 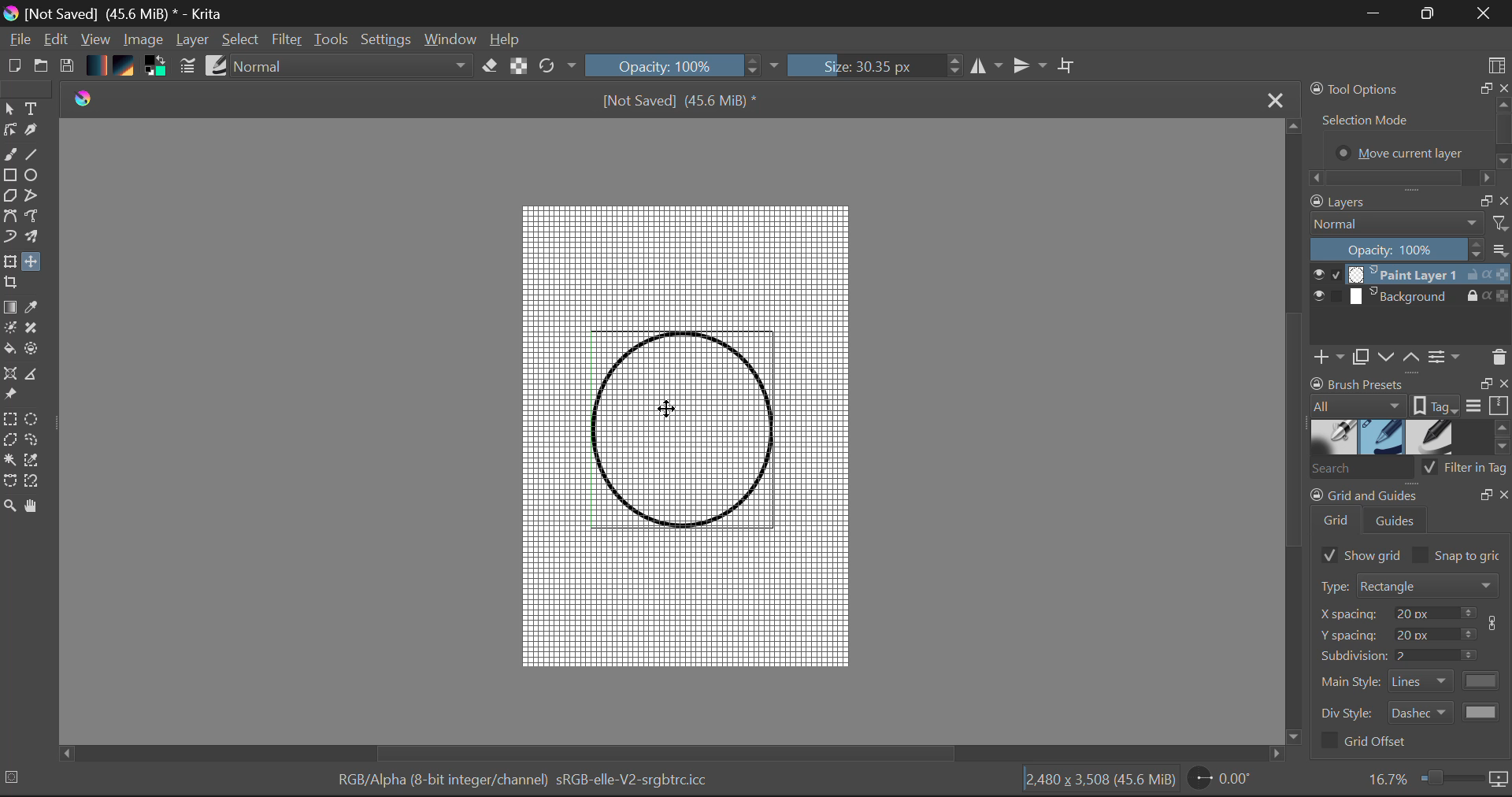 I want to click on Close, so click(x=1275, y=99).